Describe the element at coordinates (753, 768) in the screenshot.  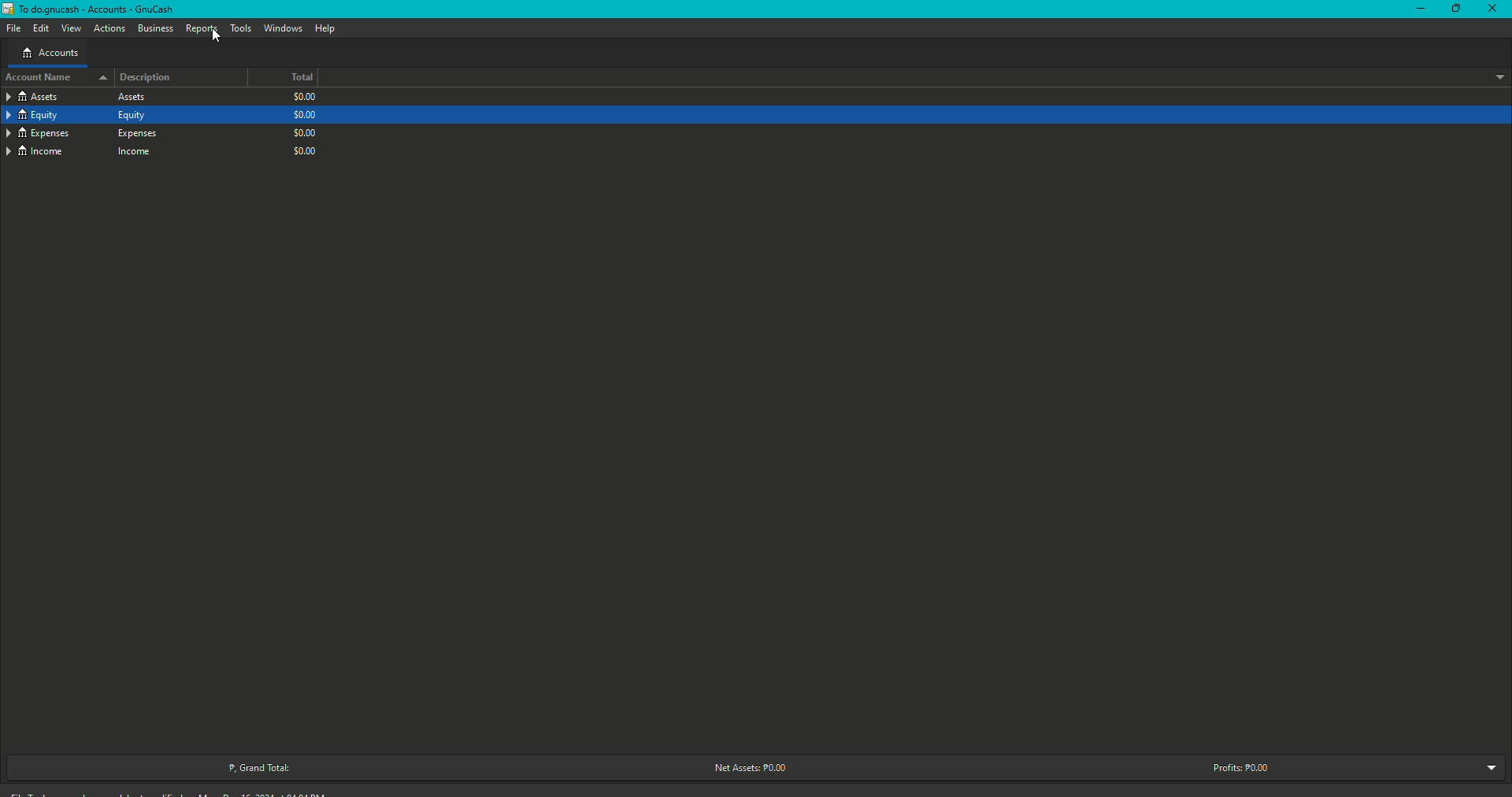
I see `Net Assets` at that location.